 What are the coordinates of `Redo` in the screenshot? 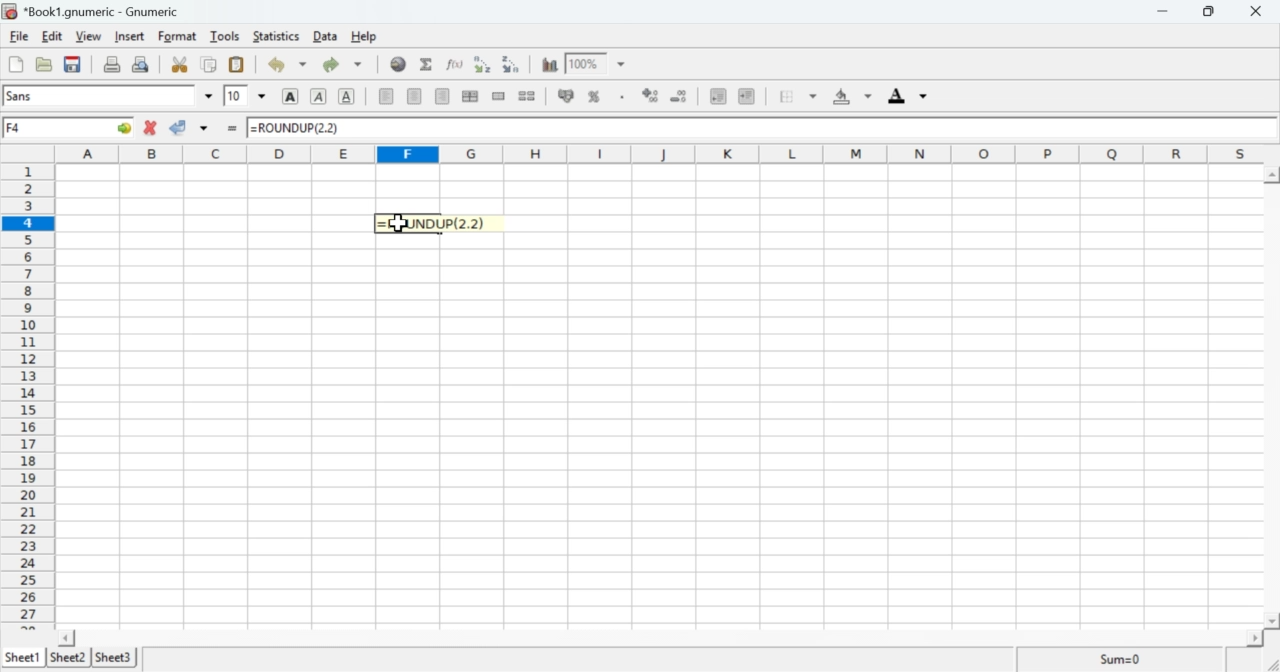 It's located at (341, 66).